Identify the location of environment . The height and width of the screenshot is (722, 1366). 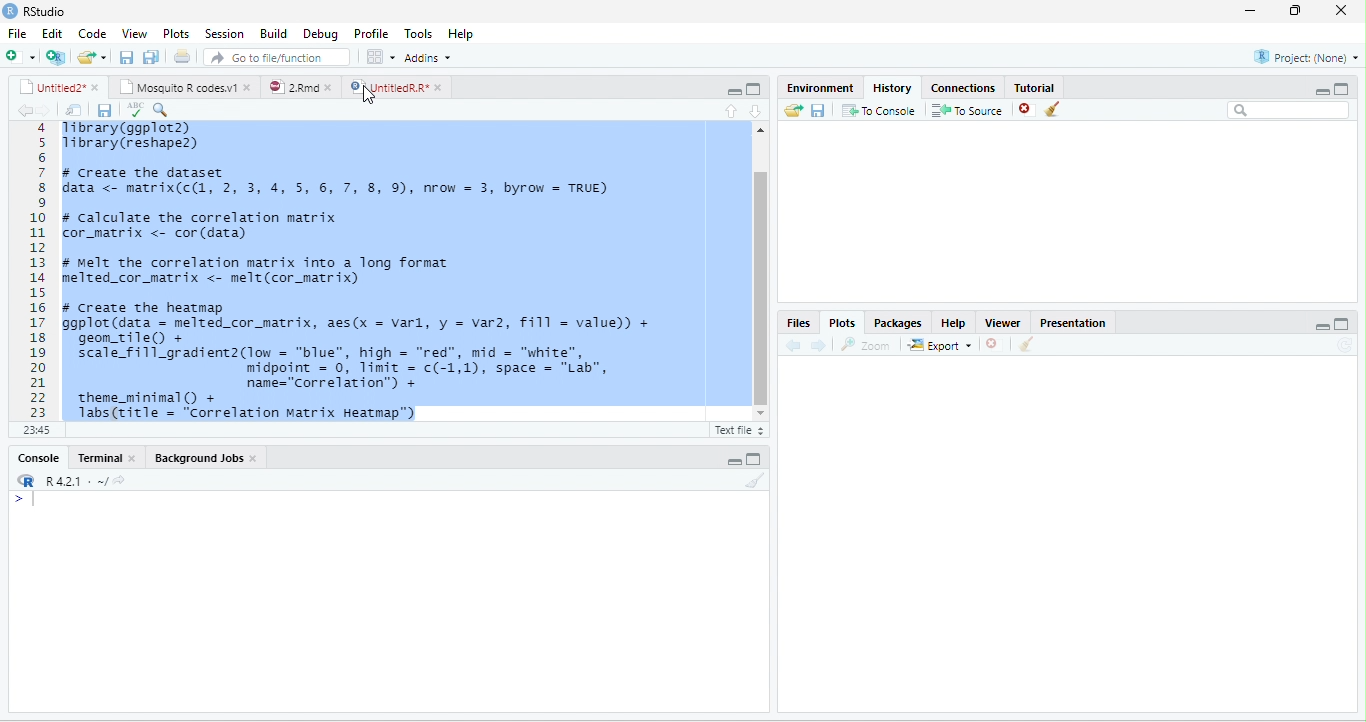
(812, 86).